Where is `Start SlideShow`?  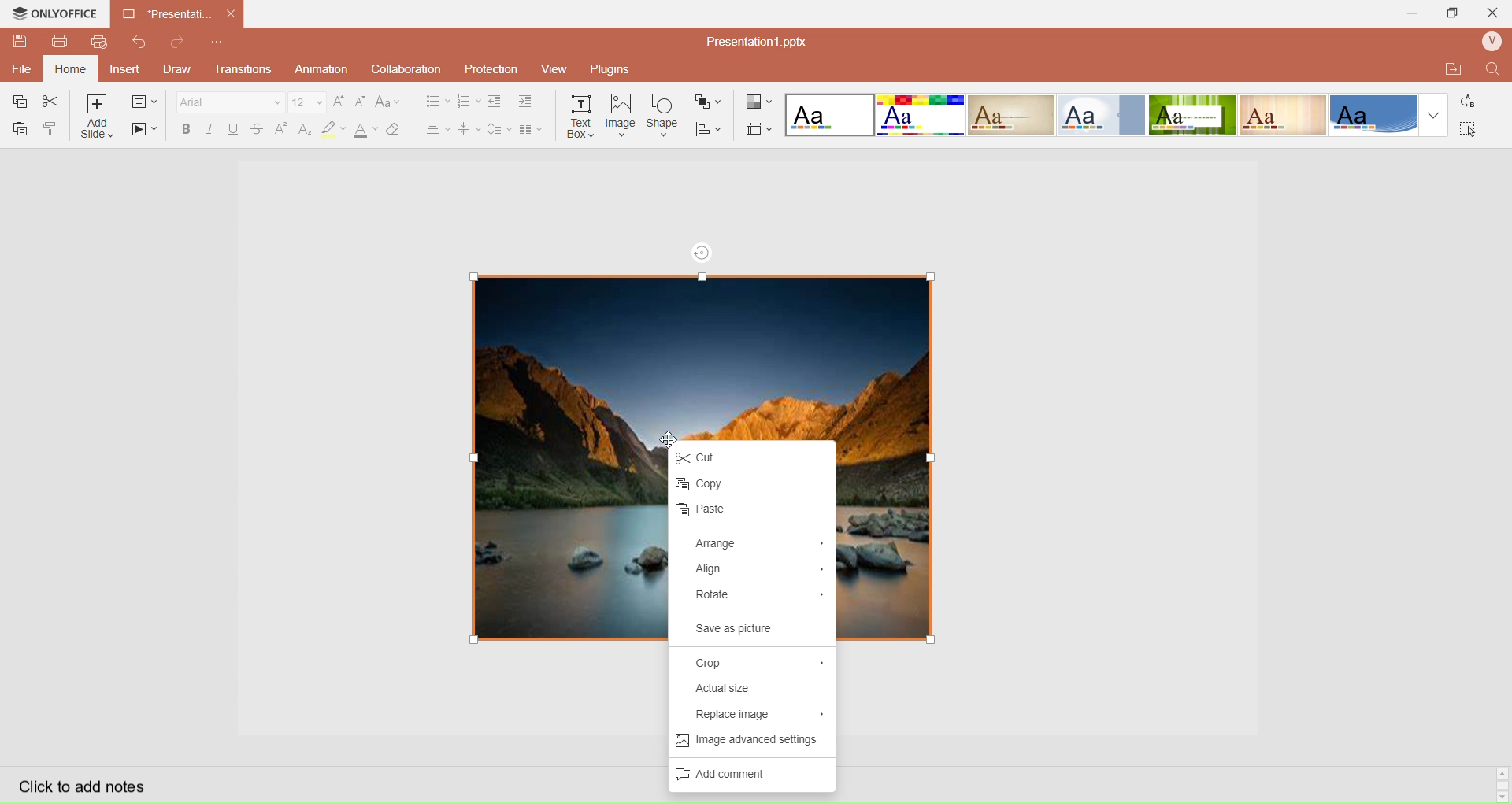 Start SlideShow is located at coordinates (146, 129).